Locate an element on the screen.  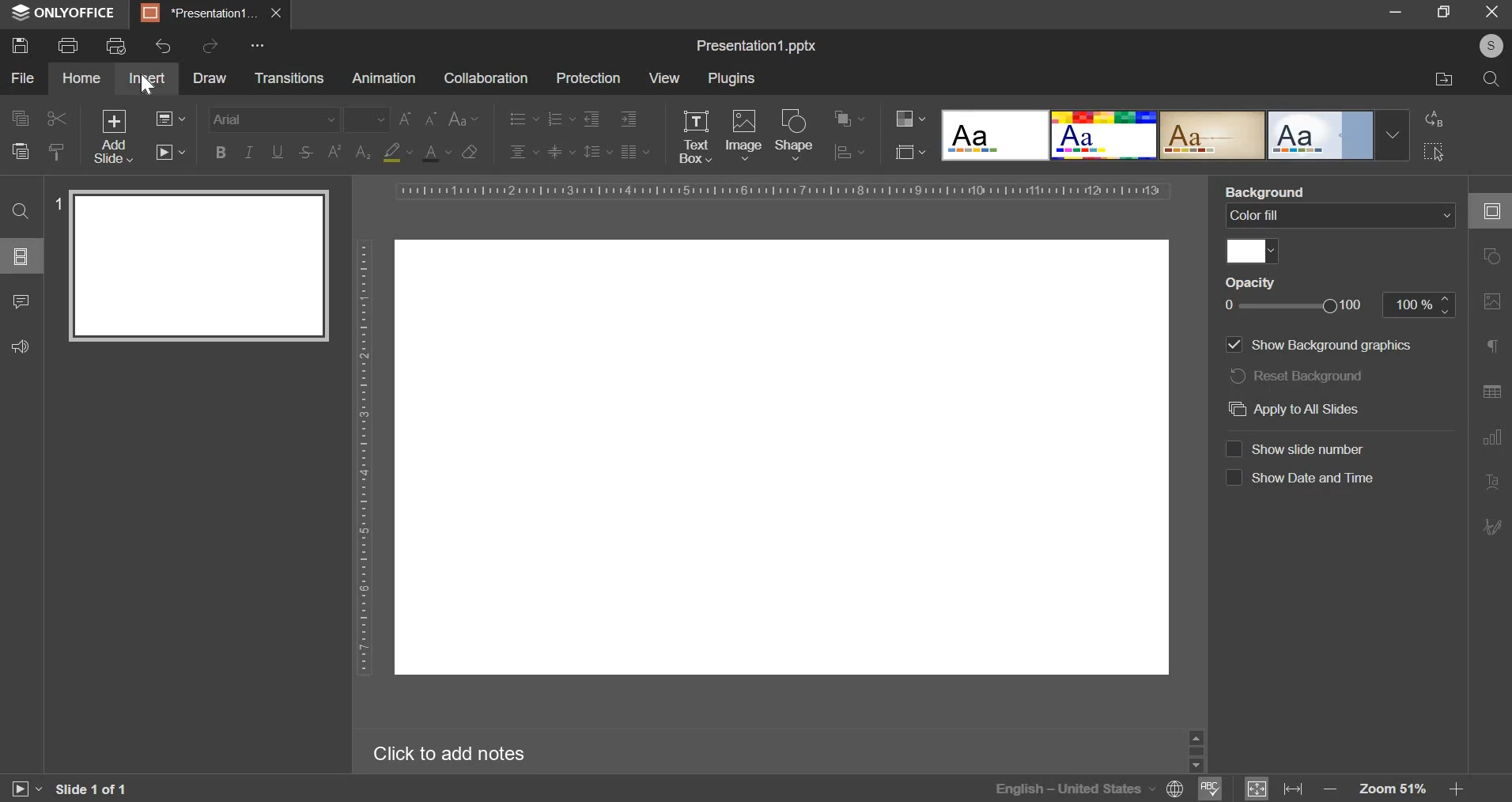
clear styles is located at coordinates (470, 154).